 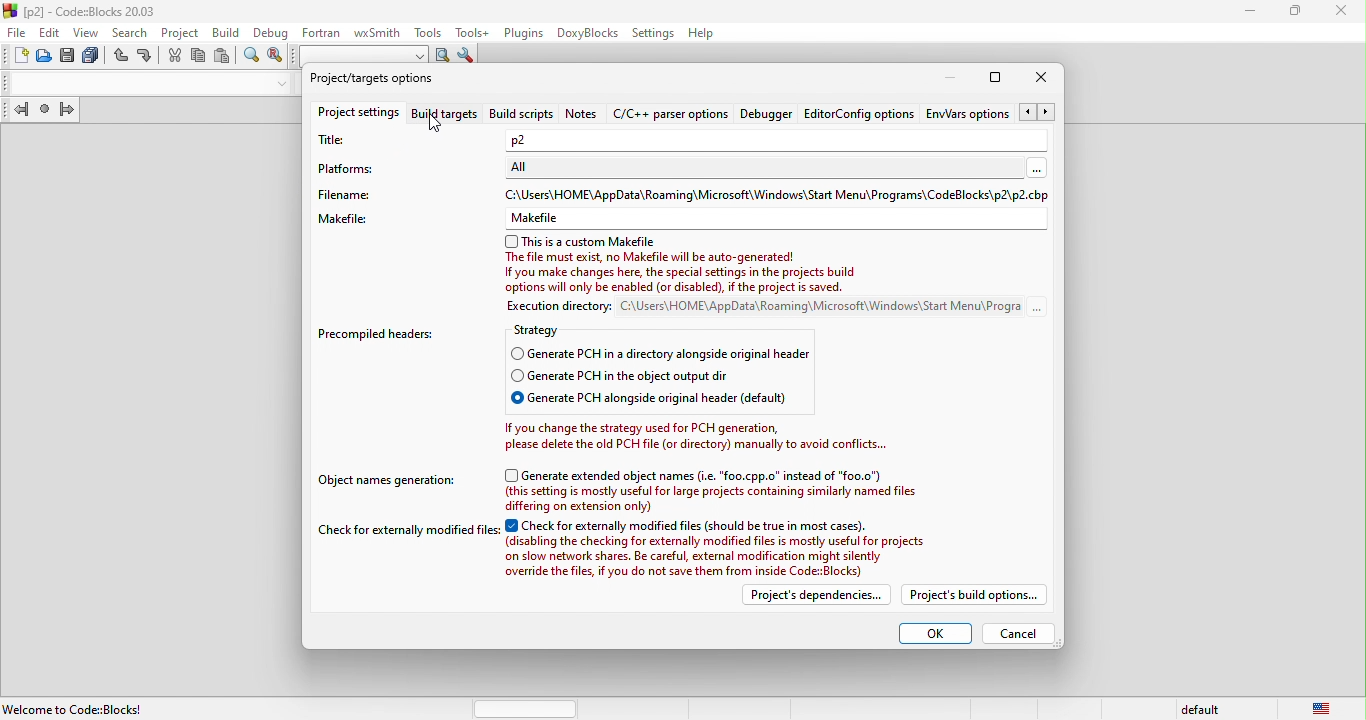 I want to click on fortran, so click(x=318, y=30).